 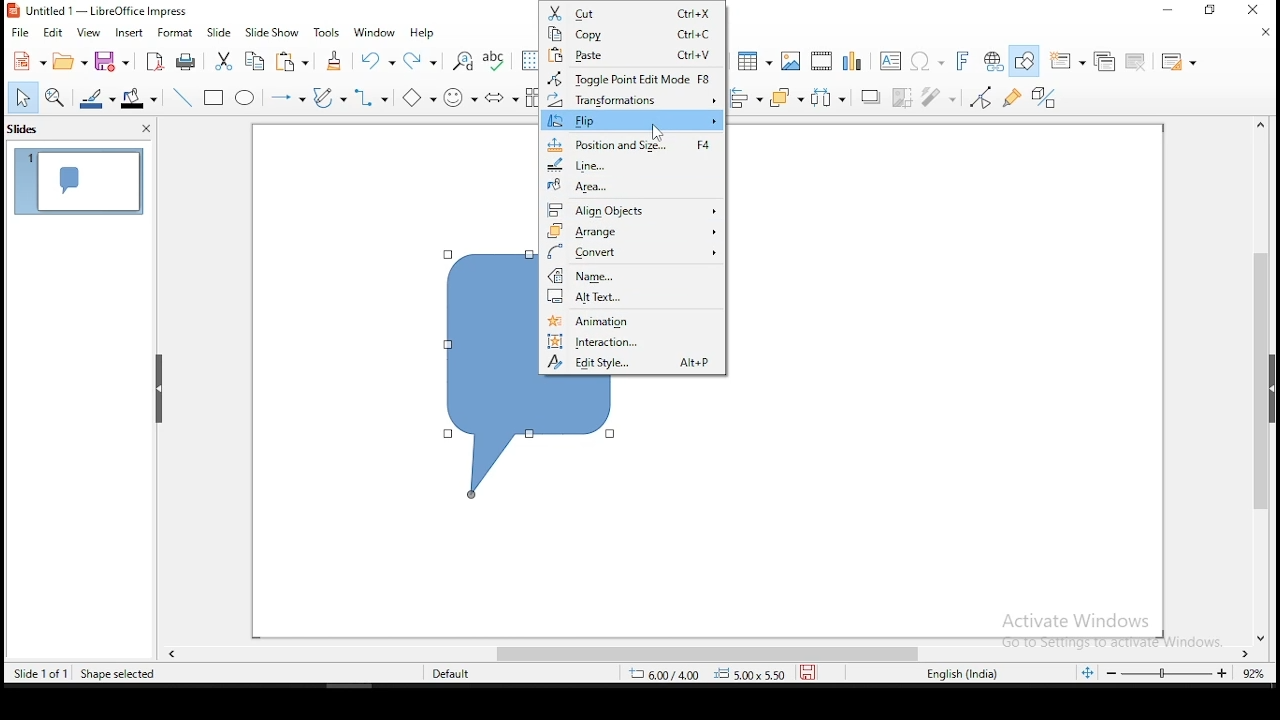 What do you see at coordinates (752, 675) in the screenshot?
I see `0.00x0.00` at bounding box center [752, 675].